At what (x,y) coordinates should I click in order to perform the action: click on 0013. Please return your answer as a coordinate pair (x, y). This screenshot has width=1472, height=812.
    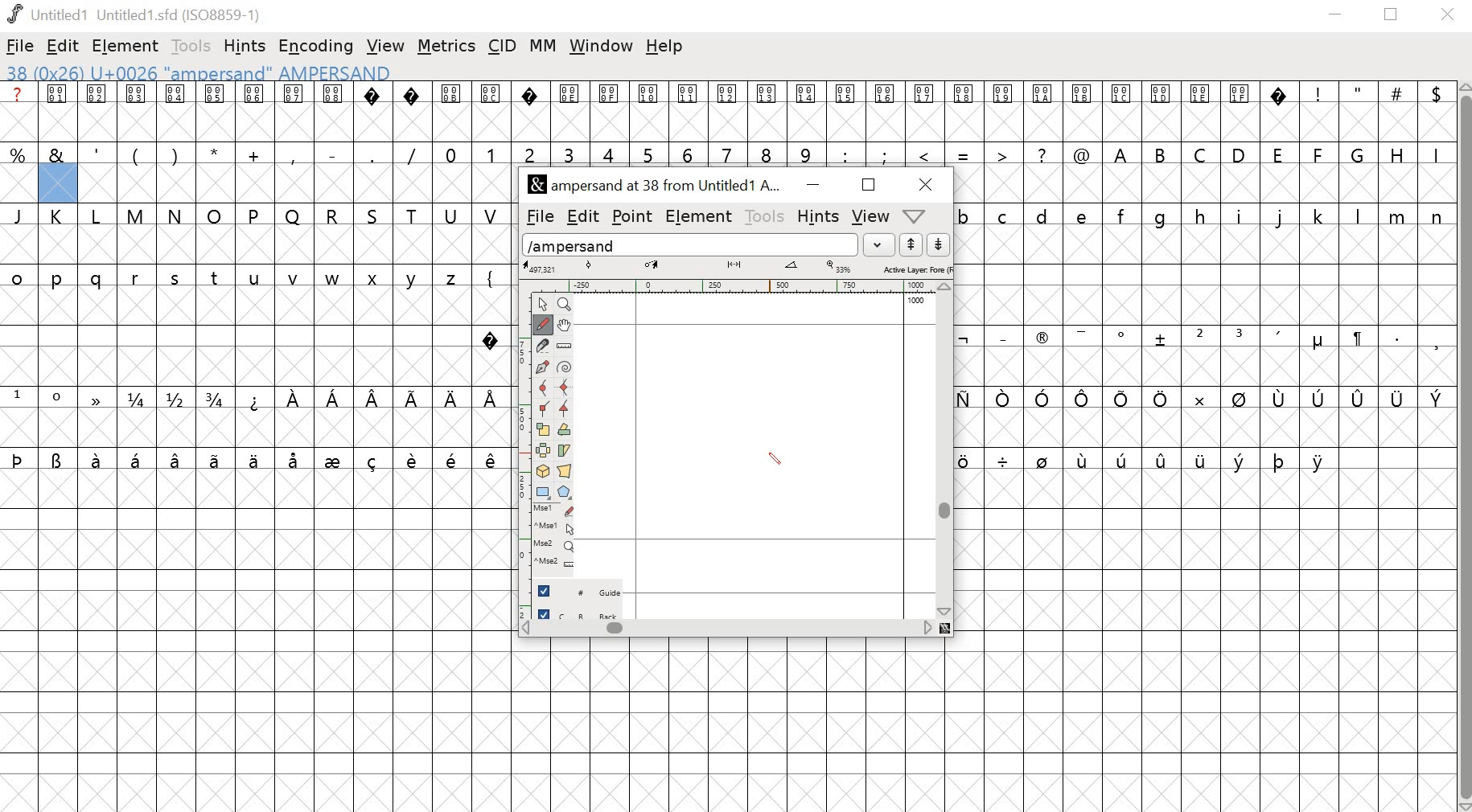
    Looking at the image, I should click on (769, 112).